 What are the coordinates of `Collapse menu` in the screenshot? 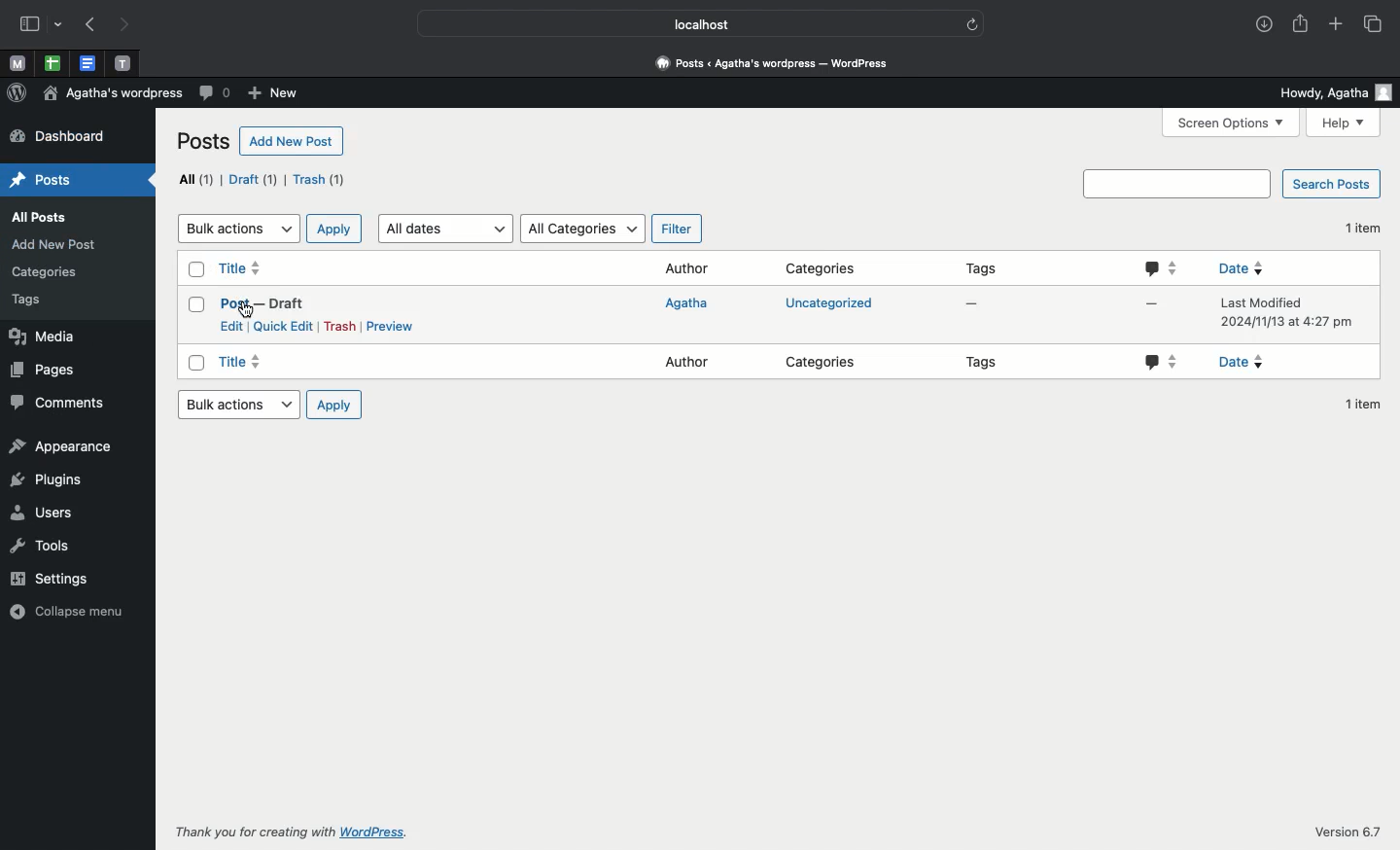 It's located at (73, 613).